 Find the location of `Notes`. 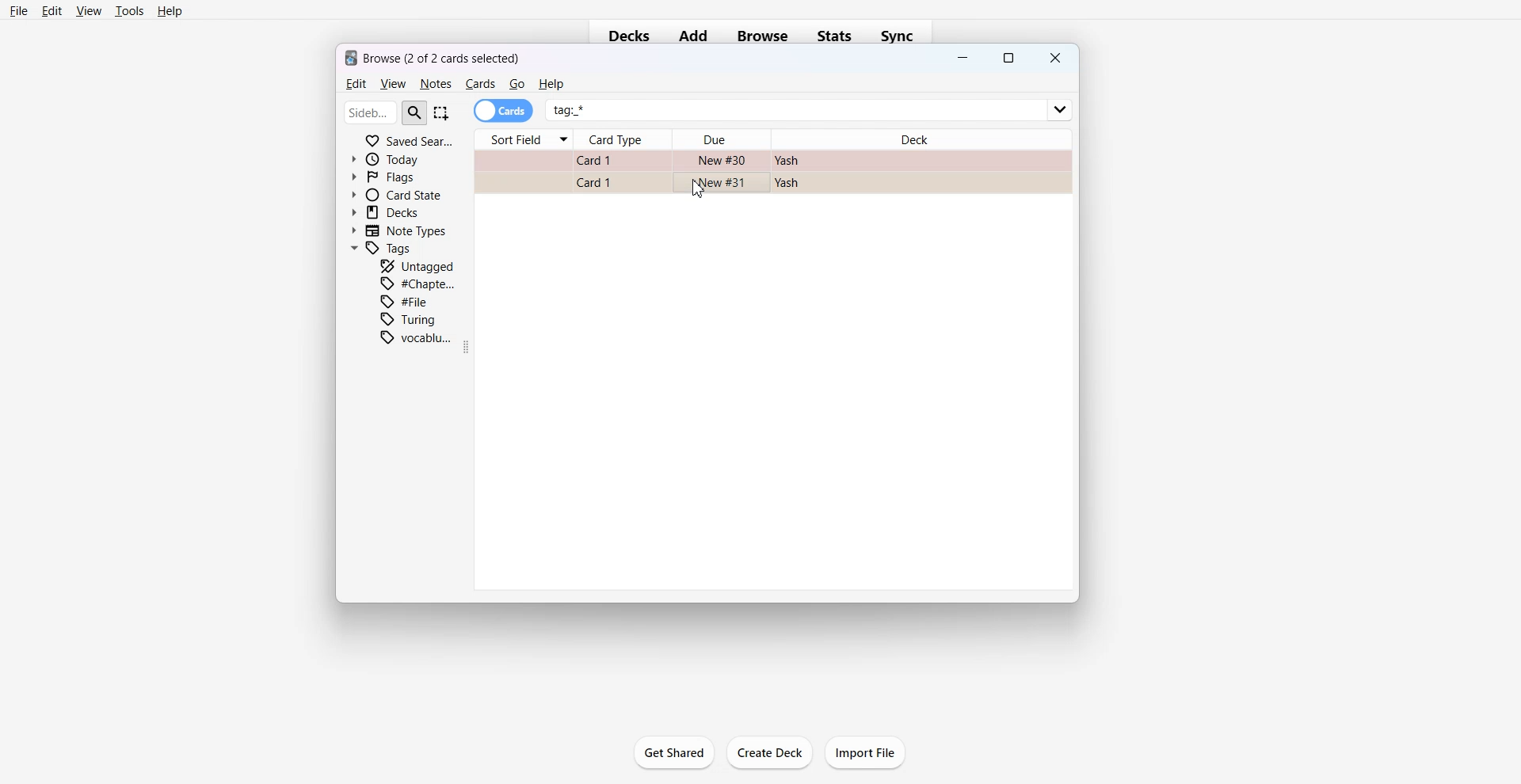

Notes is located at coordinates (435, 84).